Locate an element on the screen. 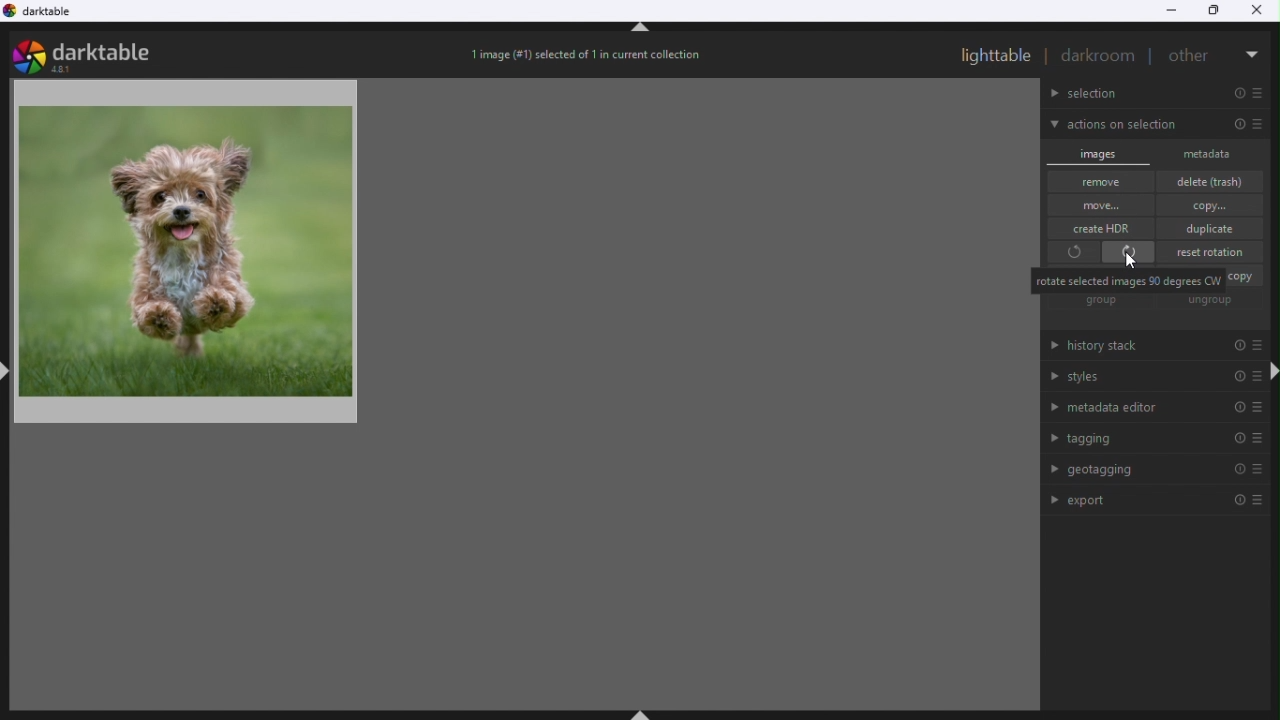  shift+ctrl+r is located at coordinates (1272, 372).